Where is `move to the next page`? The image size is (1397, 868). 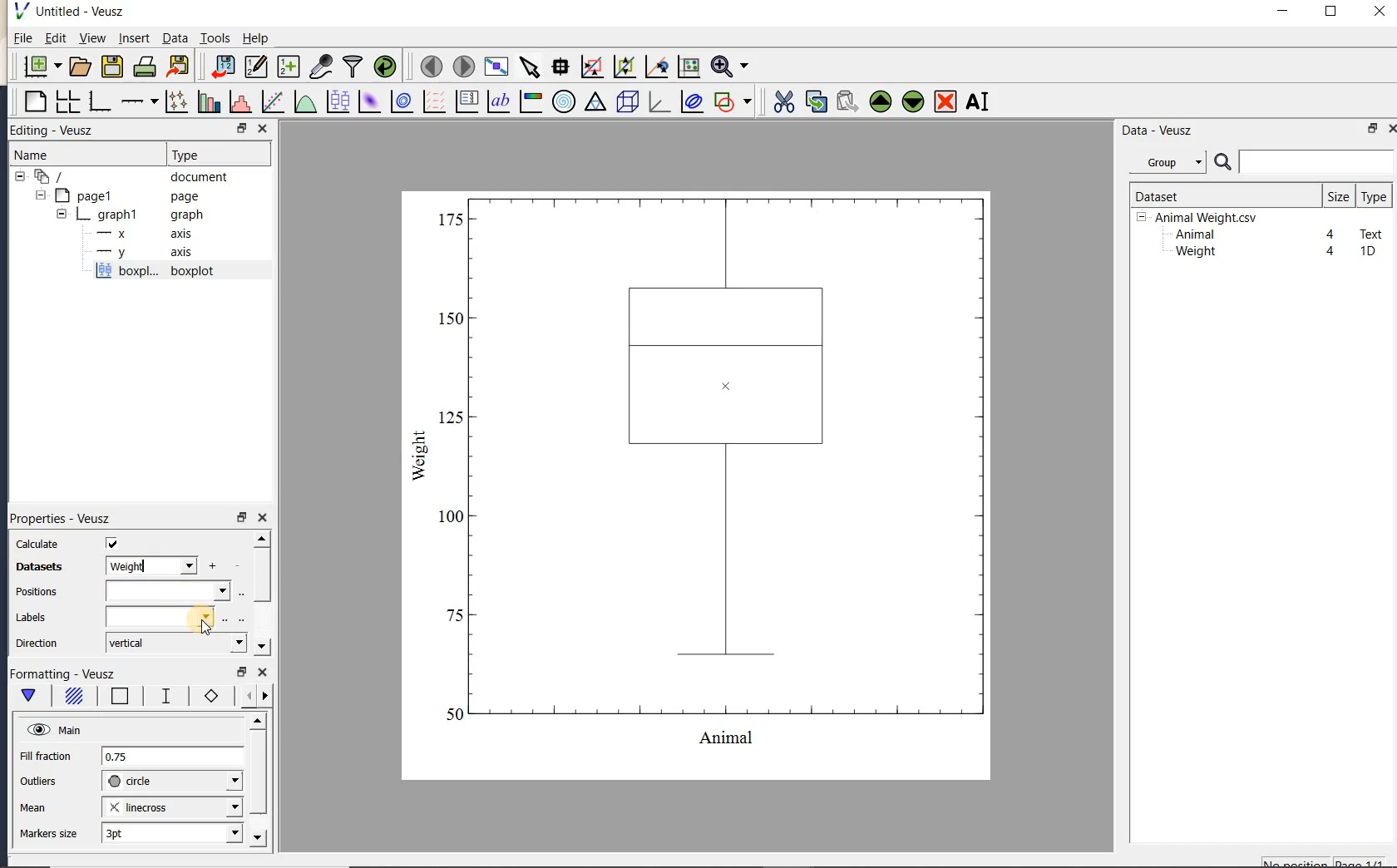 move to the next page is located at coordinates (462, 65).